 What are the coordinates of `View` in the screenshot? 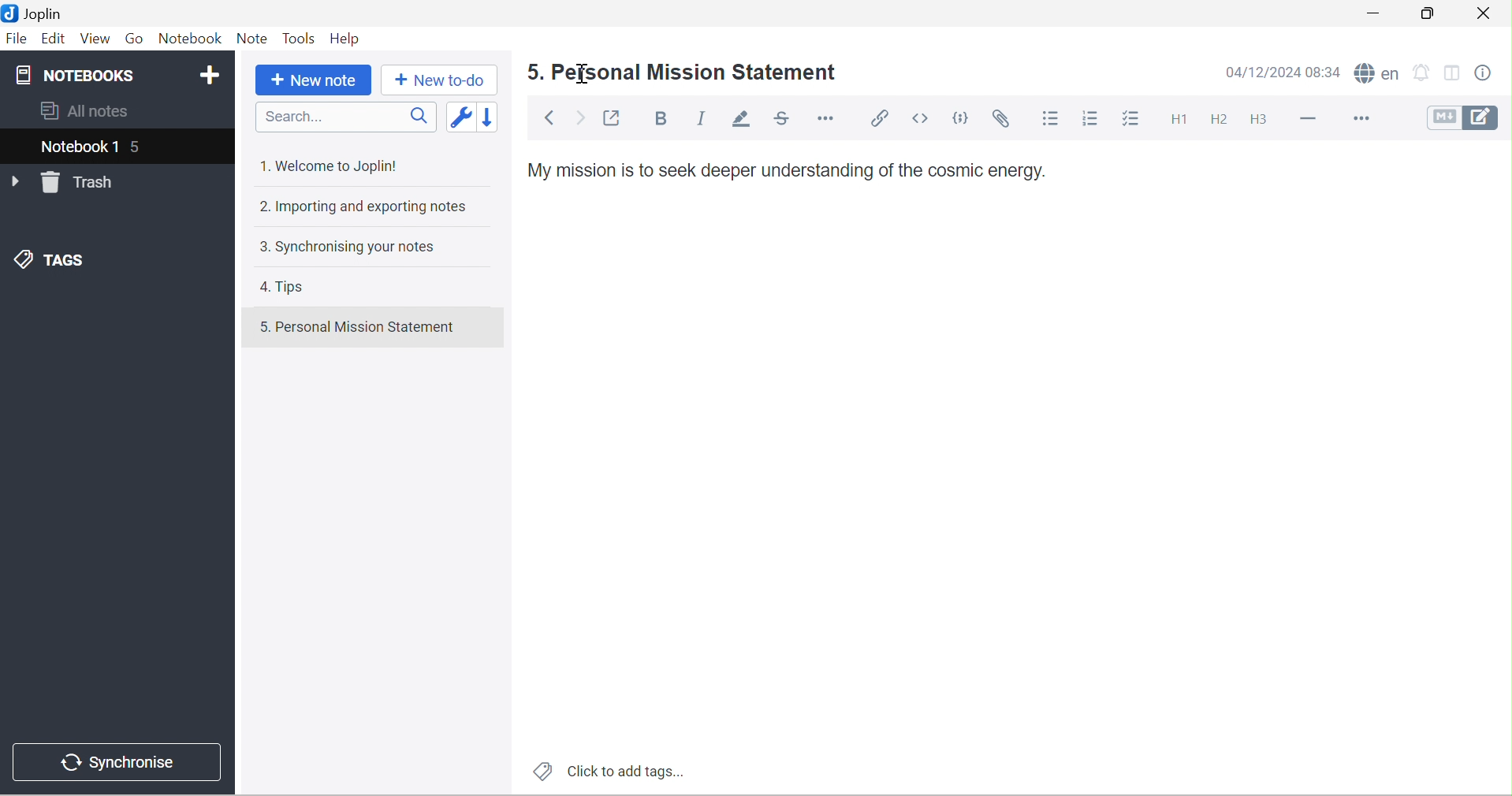 It's located at (97, 38).